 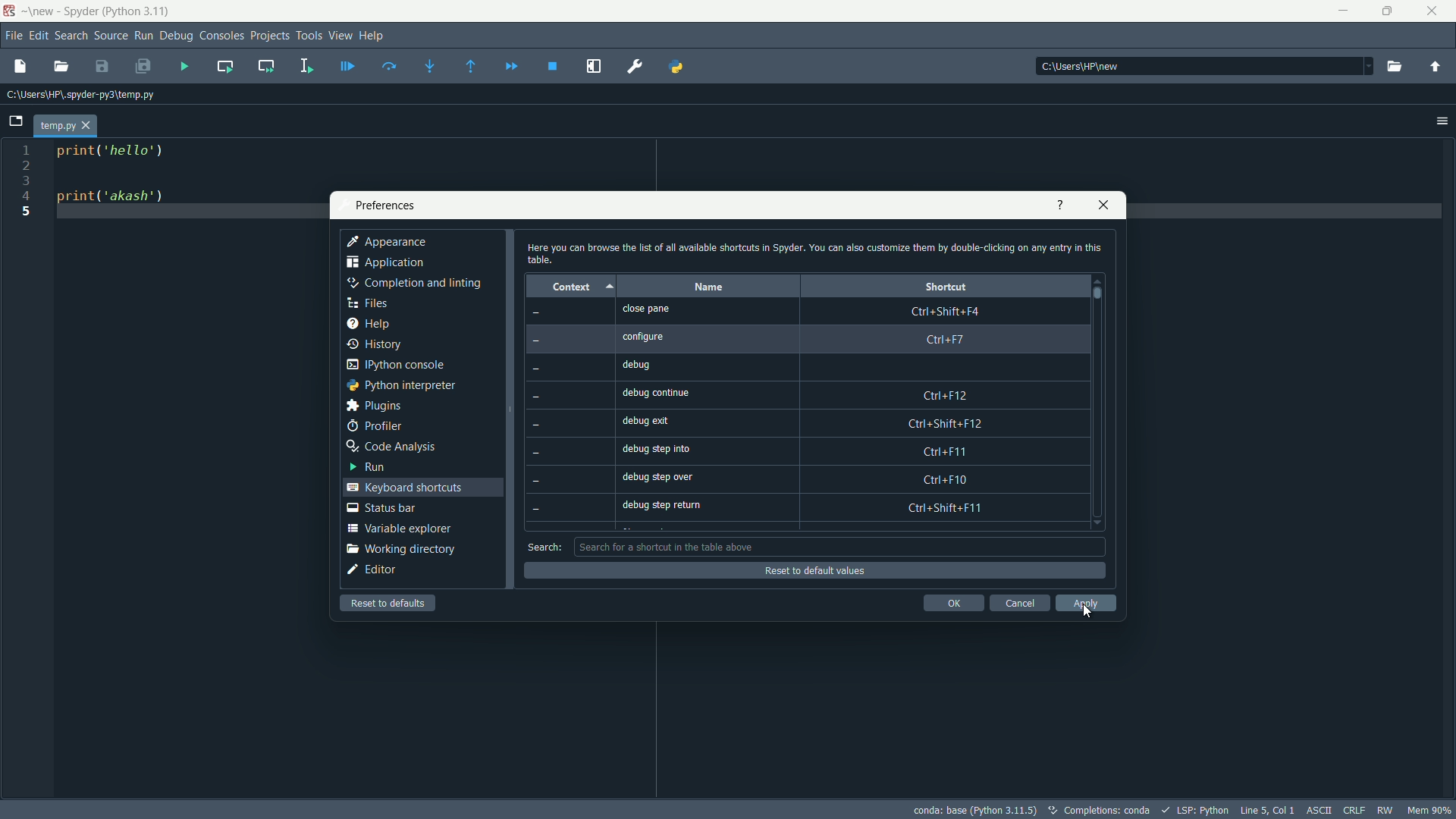 I want to click on appearance, so click(x=388, y=242).